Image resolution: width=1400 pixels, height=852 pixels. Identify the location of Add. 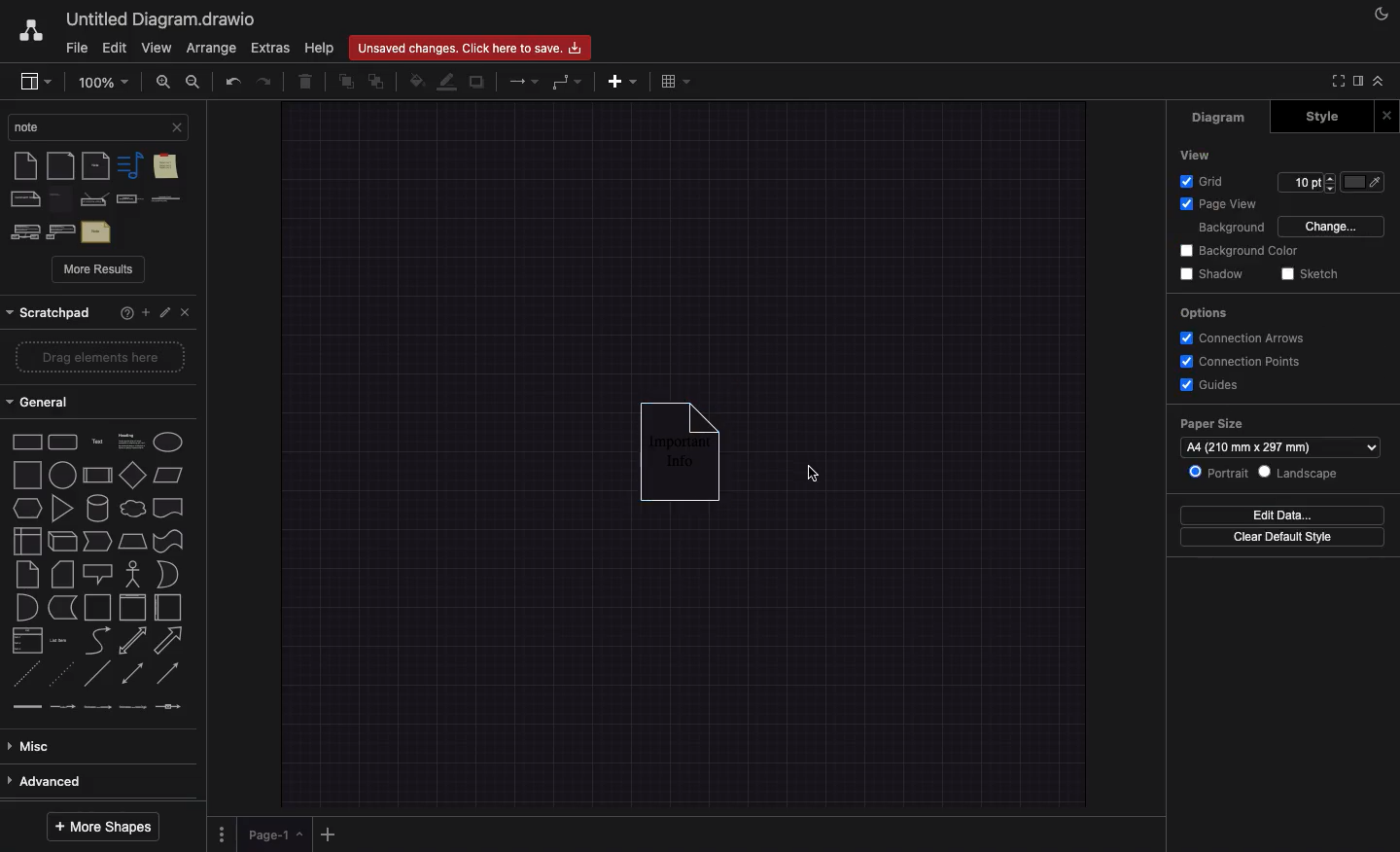
(147, 314).